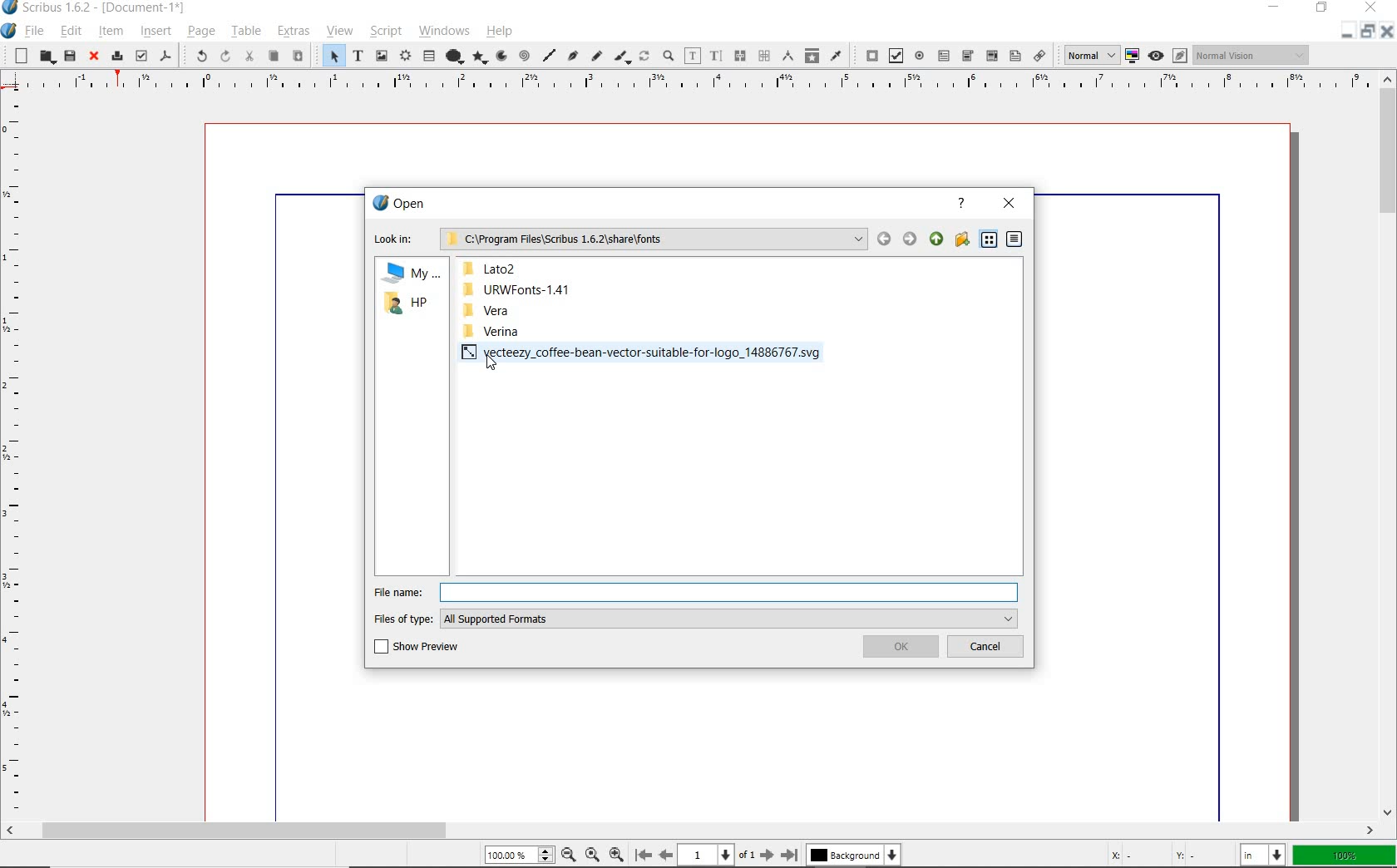 This screenshot has height=868, width=1397. What do you see at coordinates (1167, 56) in the screenshot?
I see `preview mode` at bounding box center [1167, 56].